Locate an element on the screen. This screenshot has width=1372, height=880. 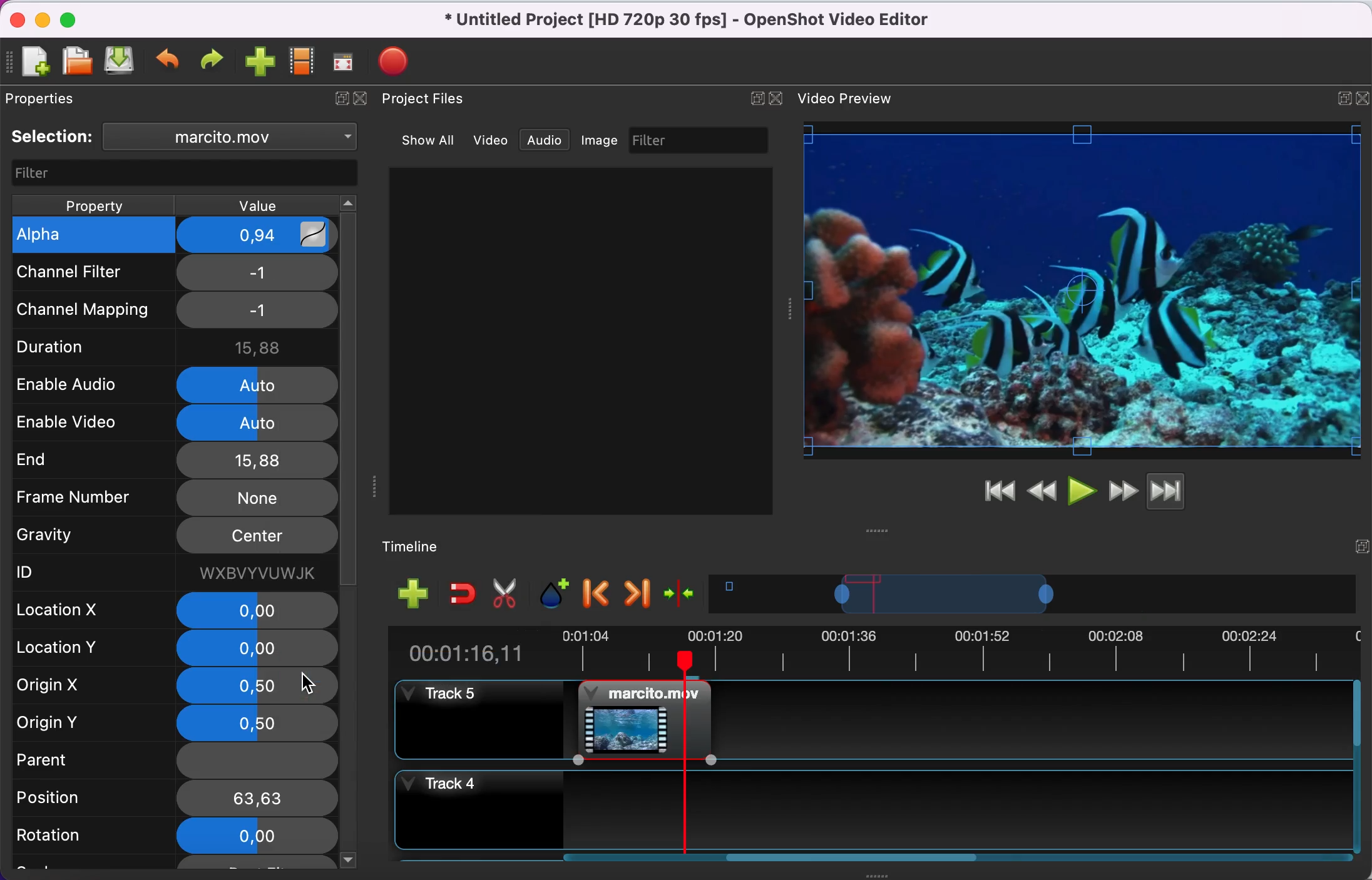
rewind is located at coordinates (1043, 489).